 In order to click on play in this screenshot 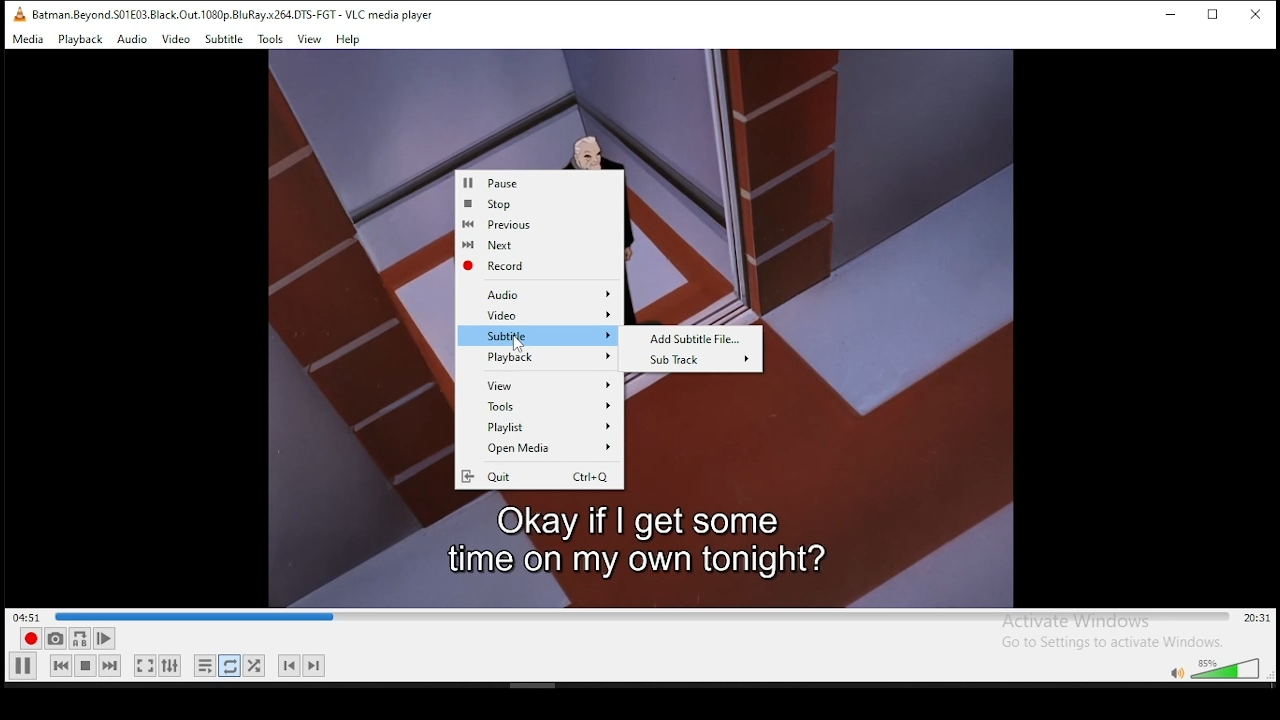, I will do `click(23, 666)`.